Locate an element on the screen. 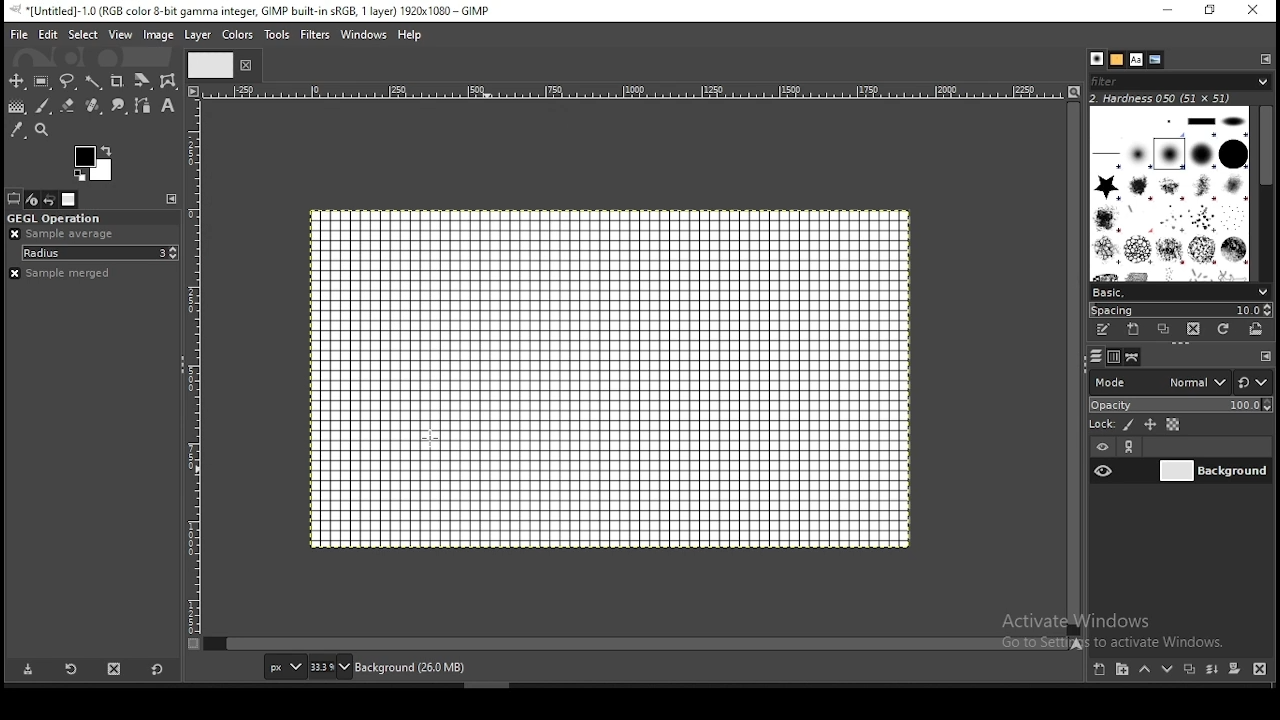 The image size is (1280, 720). view is located at coordinates (120, 33).